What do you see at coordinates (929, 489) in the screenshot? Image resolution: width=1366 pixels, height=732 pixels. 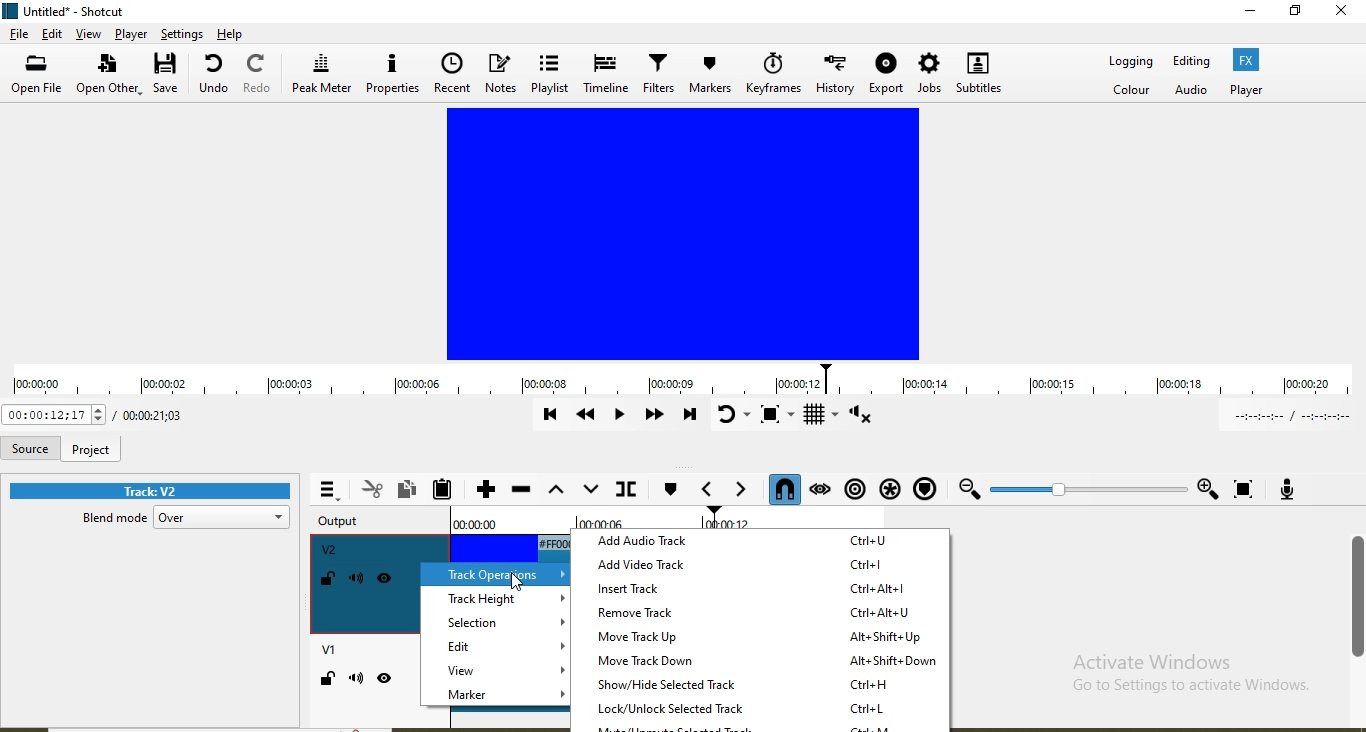 I see `Ripple markers` at bounding box center [929, 489].